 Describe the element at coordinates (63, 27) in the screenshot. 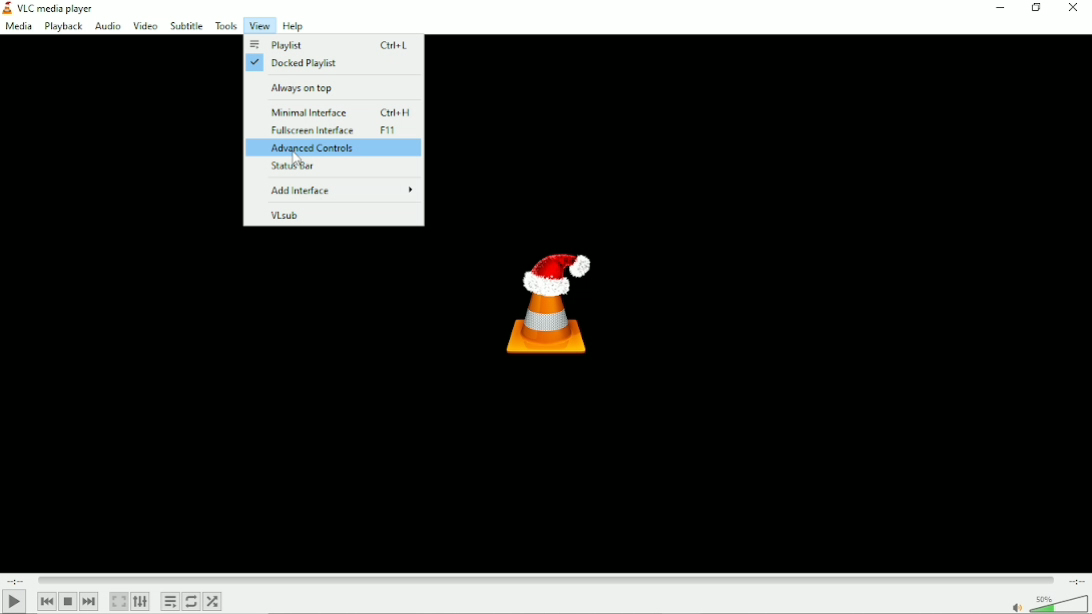

I see `Playback` at that location.